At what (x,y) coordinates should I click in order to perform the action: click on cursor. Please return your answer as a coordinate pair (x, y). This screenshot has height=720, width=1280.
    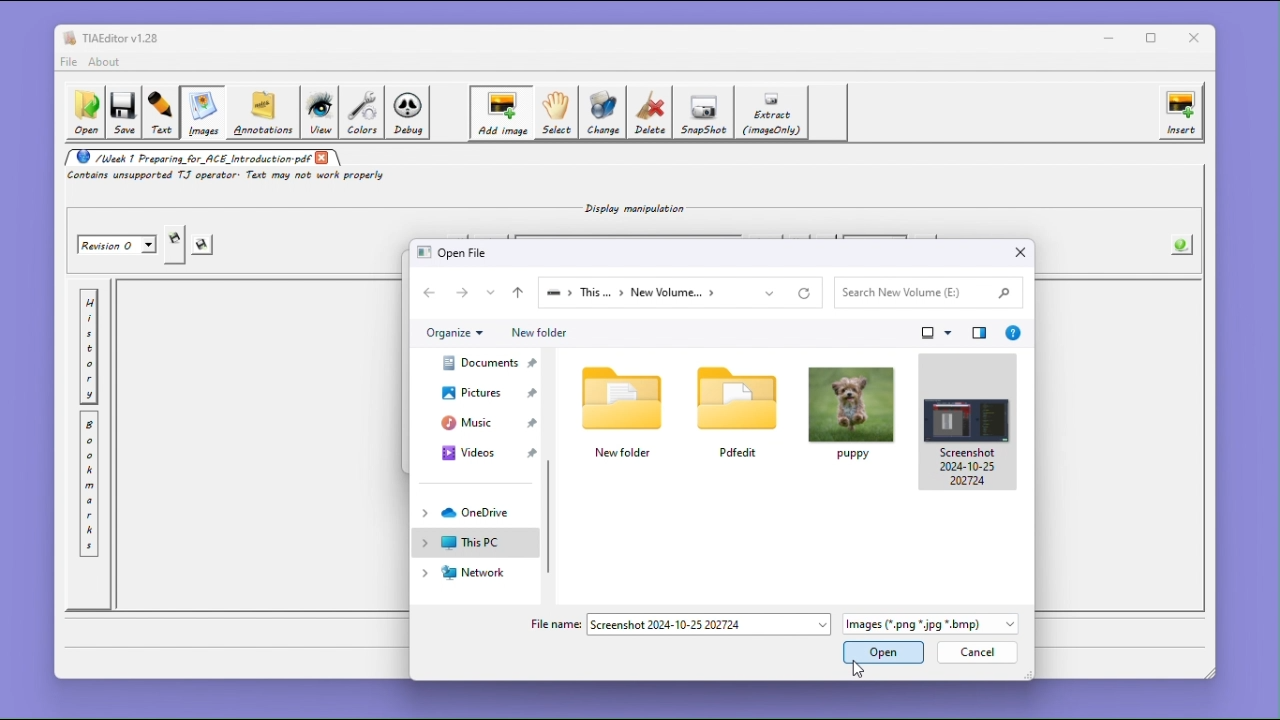
    Looking at the image, I should click on (857, 670).